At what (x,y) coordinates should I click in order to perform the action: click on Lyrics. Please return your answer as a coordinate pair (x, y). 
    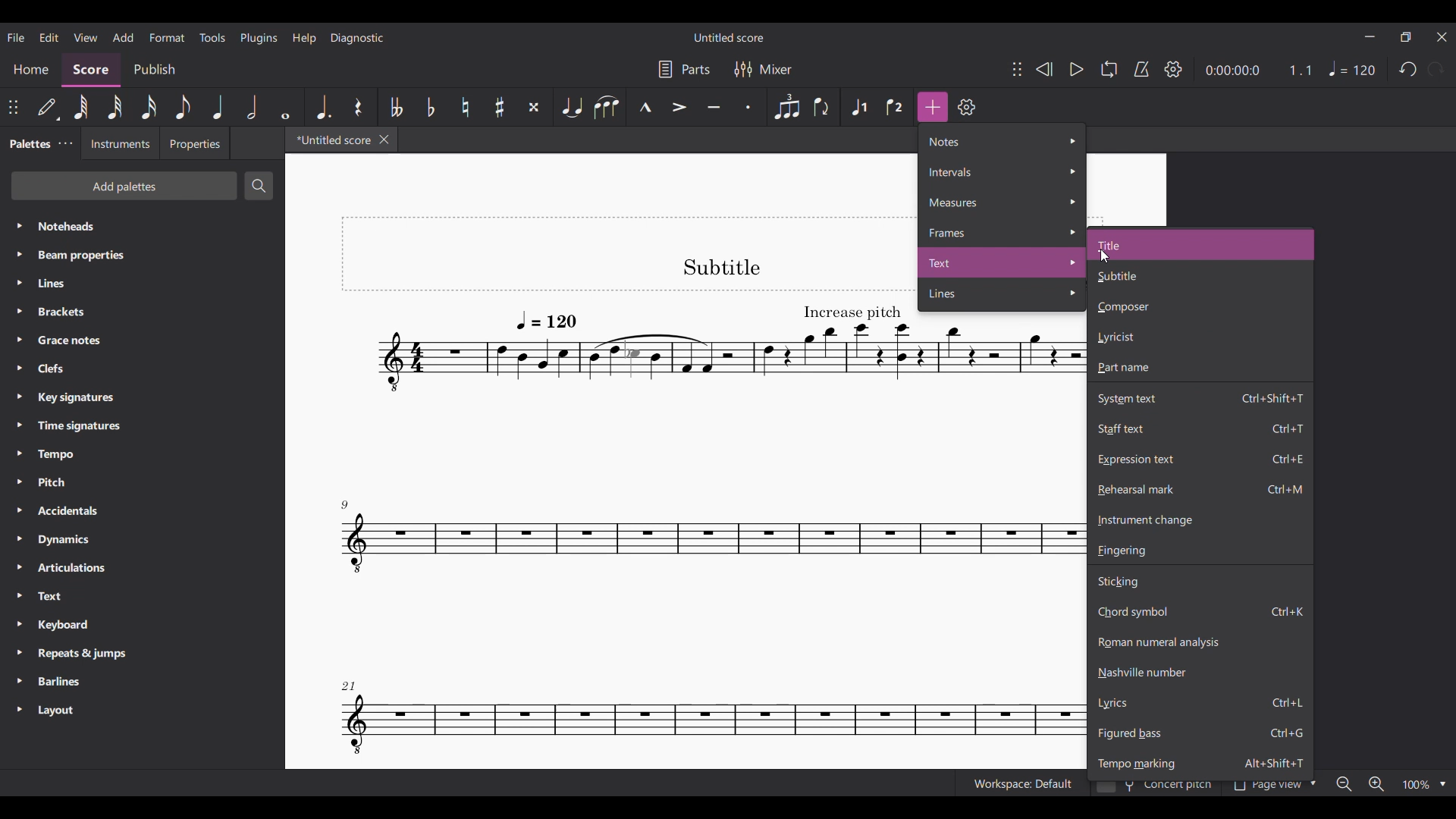
    Looking at the image, I should click on (1200, 702).